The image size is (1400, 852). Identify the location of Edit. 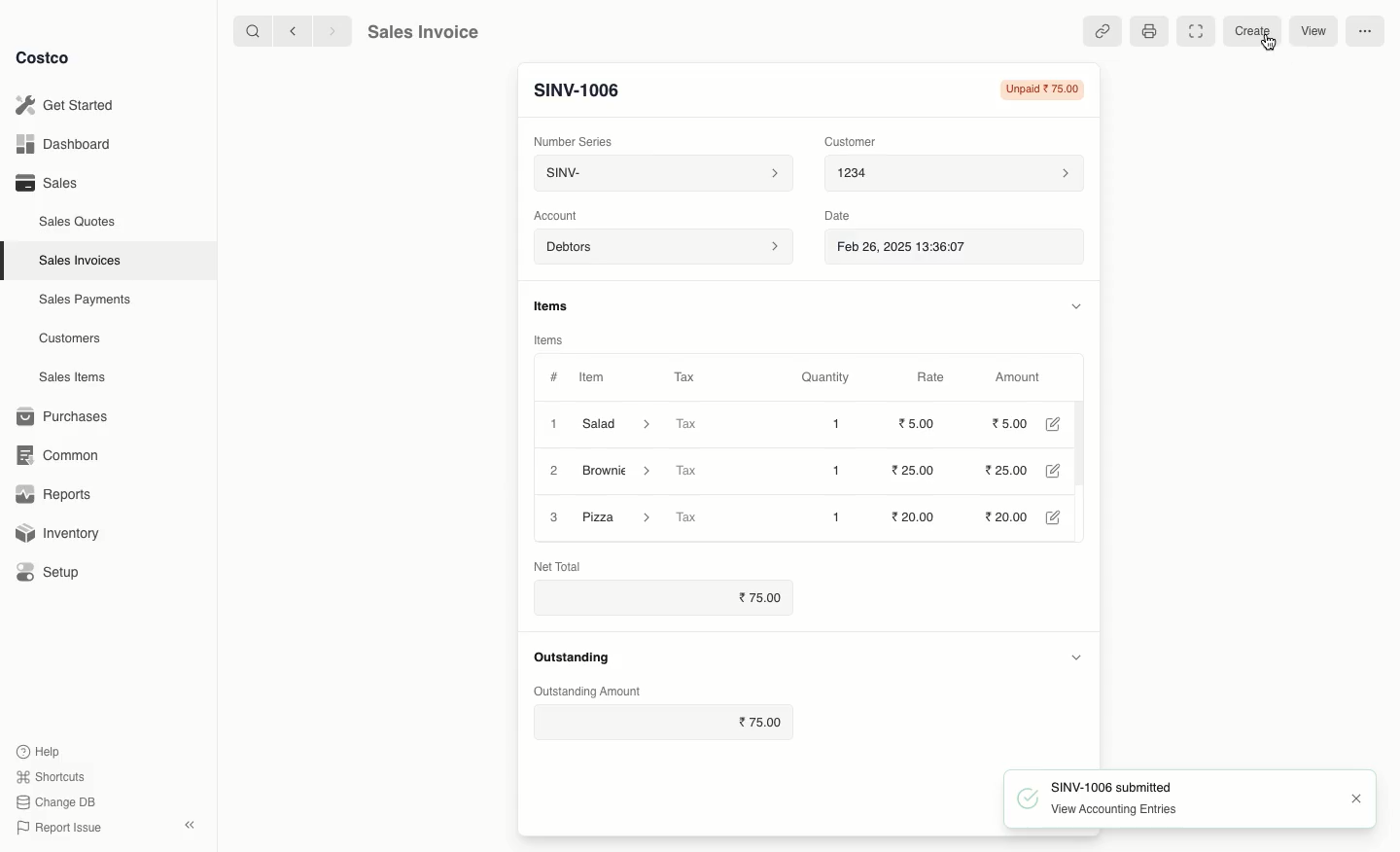
(1052, 424).